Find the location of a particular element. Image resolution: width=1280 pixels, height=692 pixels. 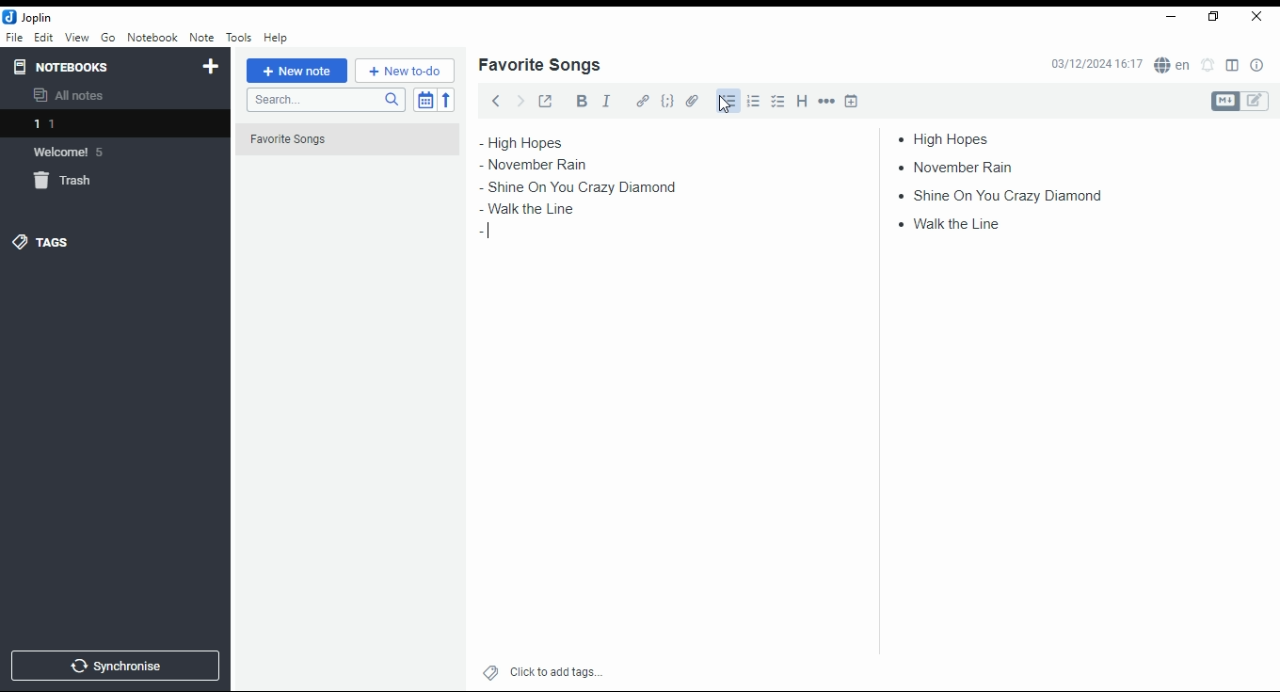

close window is located at coordinates (1258, 17).